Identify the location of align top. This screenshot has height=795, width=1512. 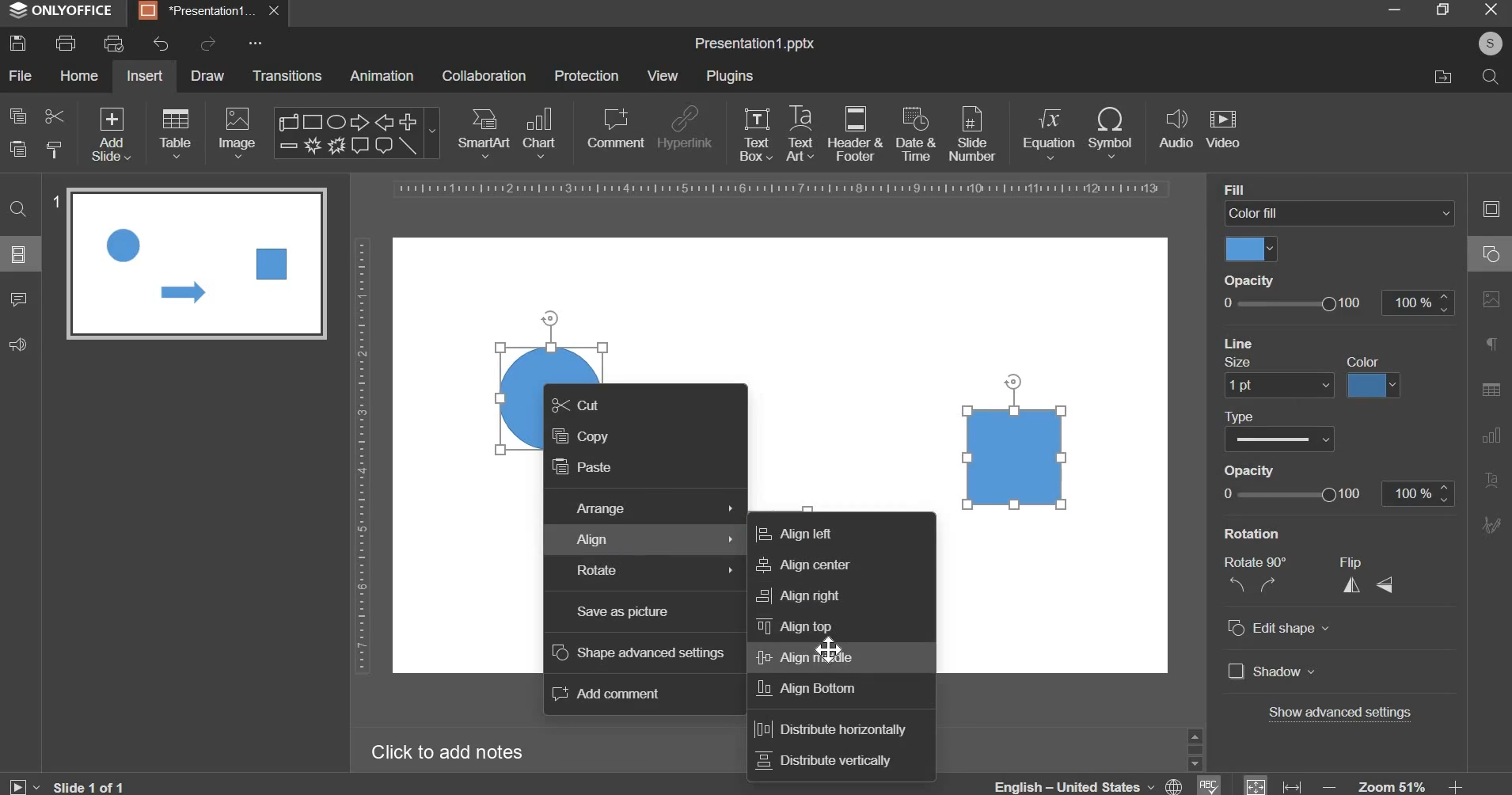
(795, 626).